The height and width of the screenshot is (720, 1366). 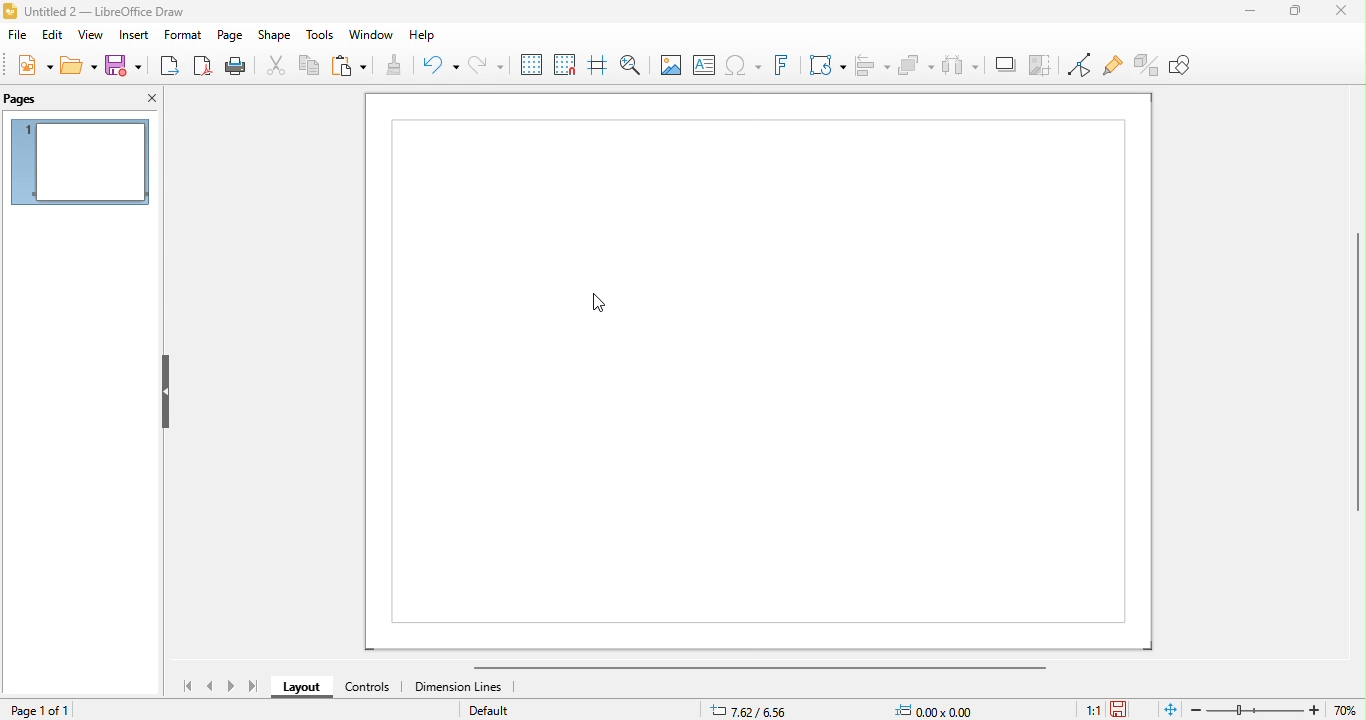 What do you see at coordinates (595, 65) in the screenshot?
I see `helplines while moving` at bounding box center [595, 65].